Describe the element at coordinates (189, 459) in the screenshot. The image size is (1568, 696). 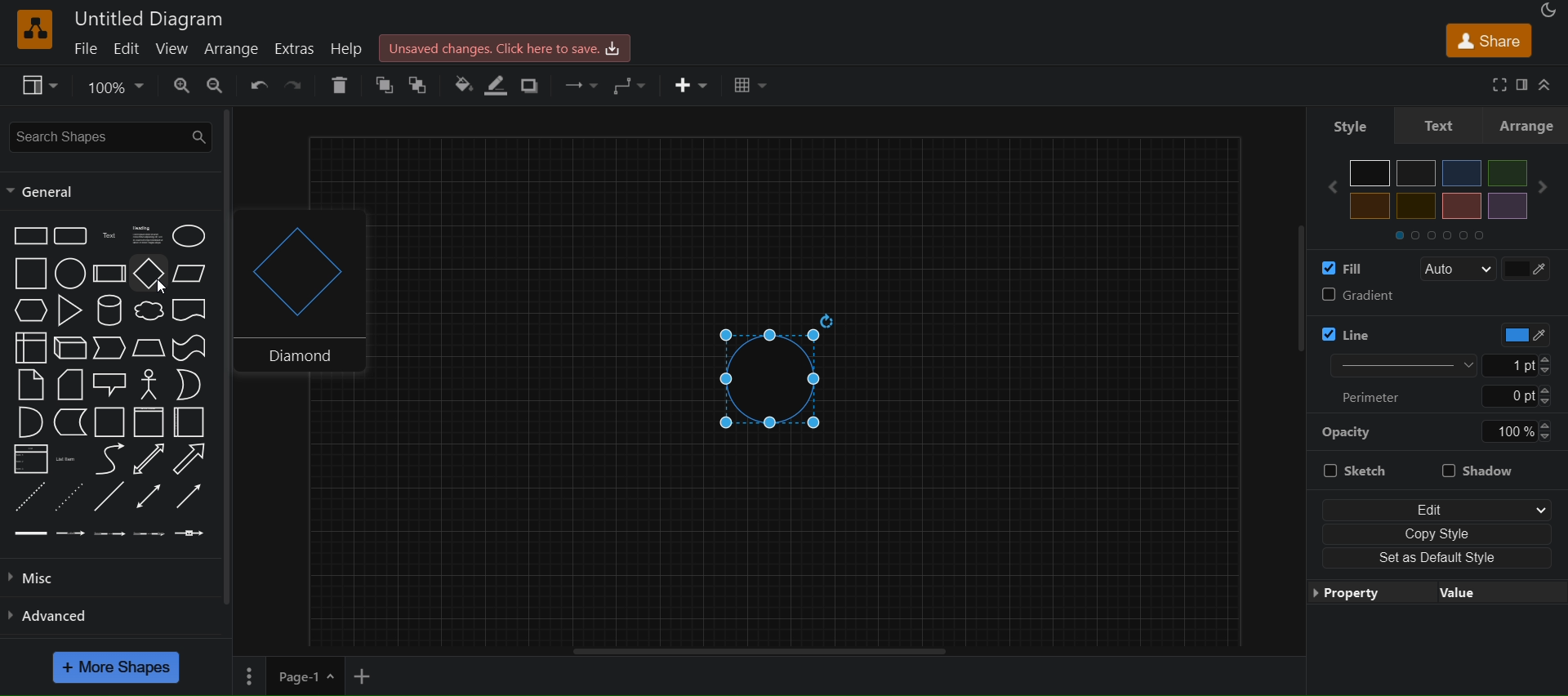
I see `arrow` at that location.